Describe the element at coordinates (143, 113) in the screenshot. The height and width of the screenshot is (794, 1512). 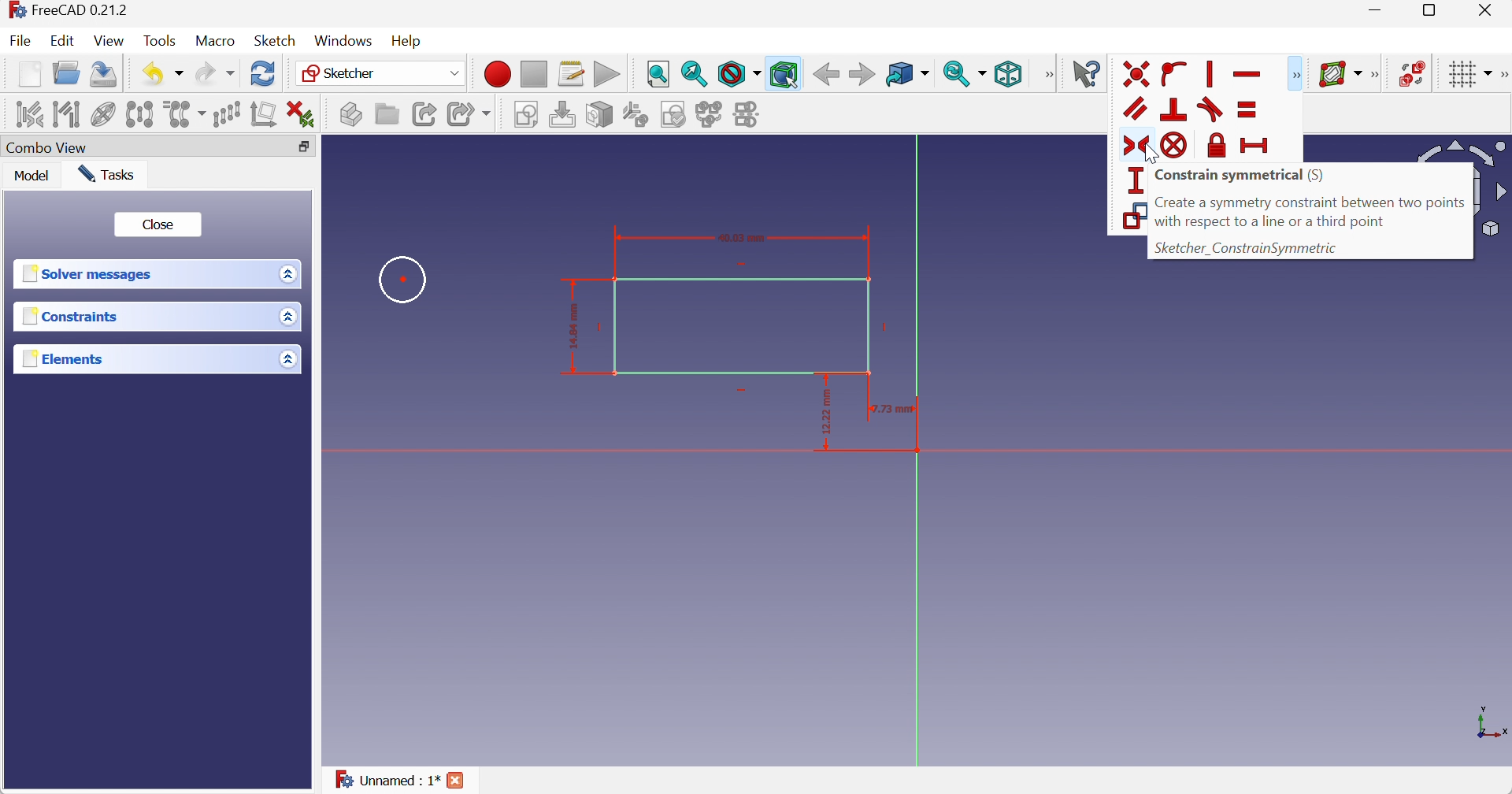
I see `Symmetry` at that location.